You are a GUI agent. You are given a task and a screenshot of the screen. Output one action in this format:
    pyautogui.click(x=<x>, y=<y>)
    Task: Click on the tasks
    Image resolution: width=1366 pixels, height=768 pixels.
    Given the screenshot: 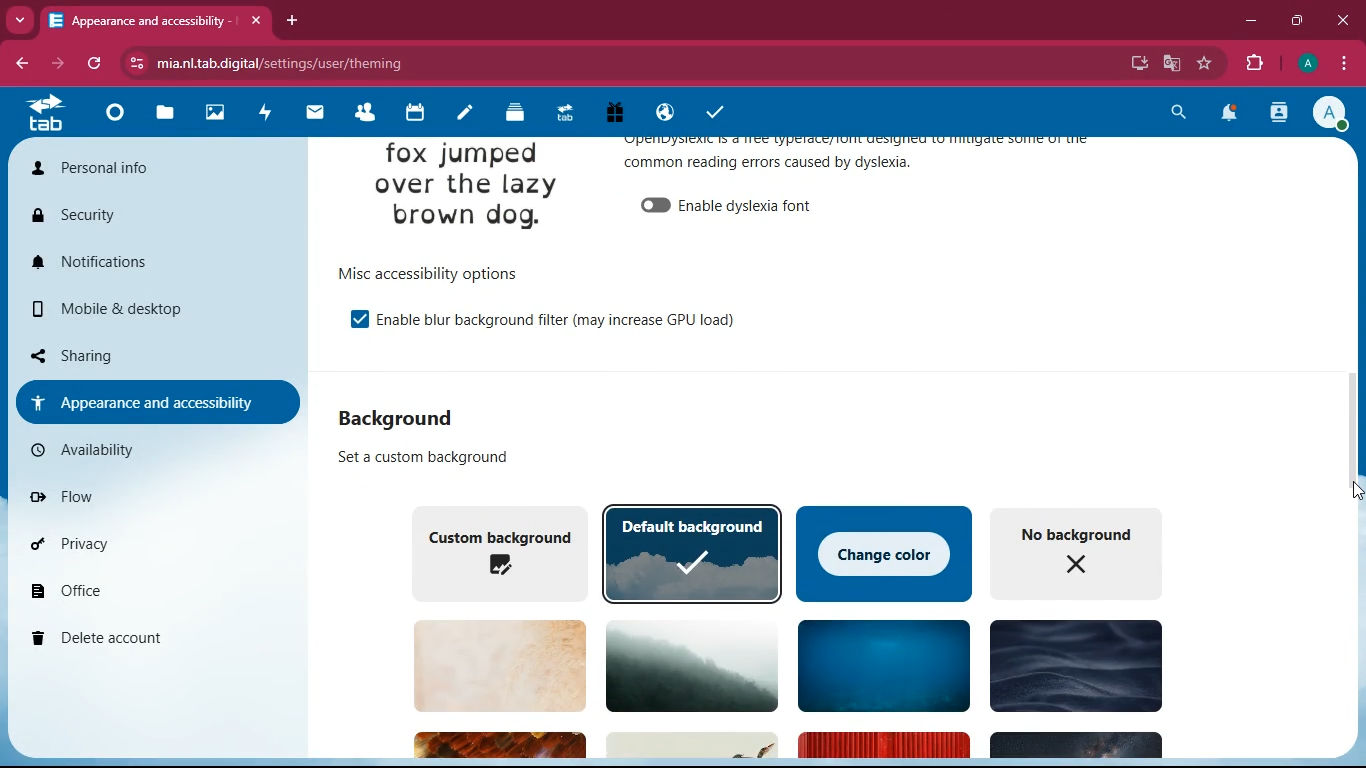 What is the action you would take?
    pyautogui.click(x=713, y=116)
    